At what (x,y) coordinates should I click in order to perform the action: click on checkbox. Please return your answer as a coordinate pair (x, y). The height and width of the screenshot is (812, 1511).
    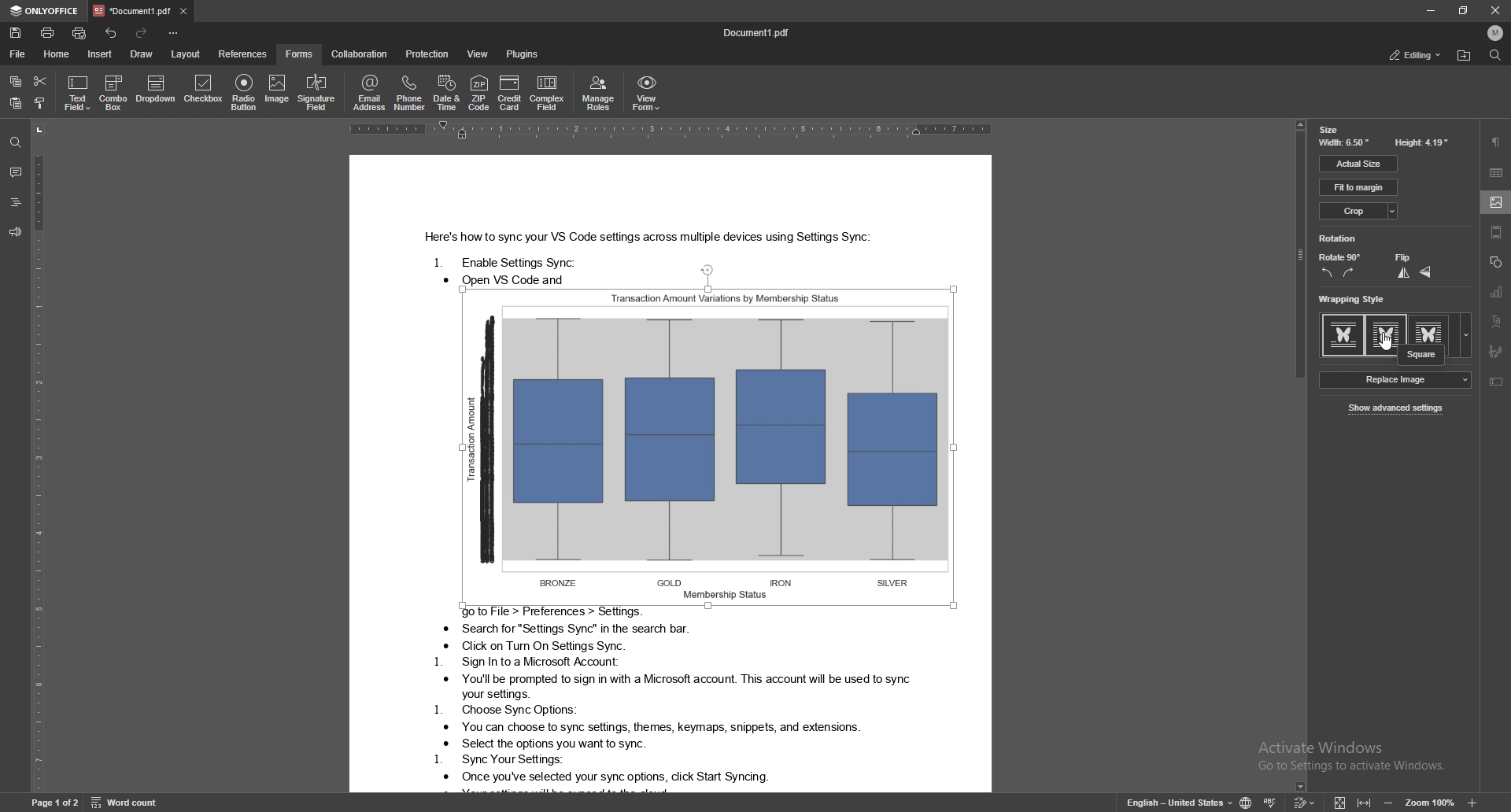
    Looking at the image, I should click on (205, 90).